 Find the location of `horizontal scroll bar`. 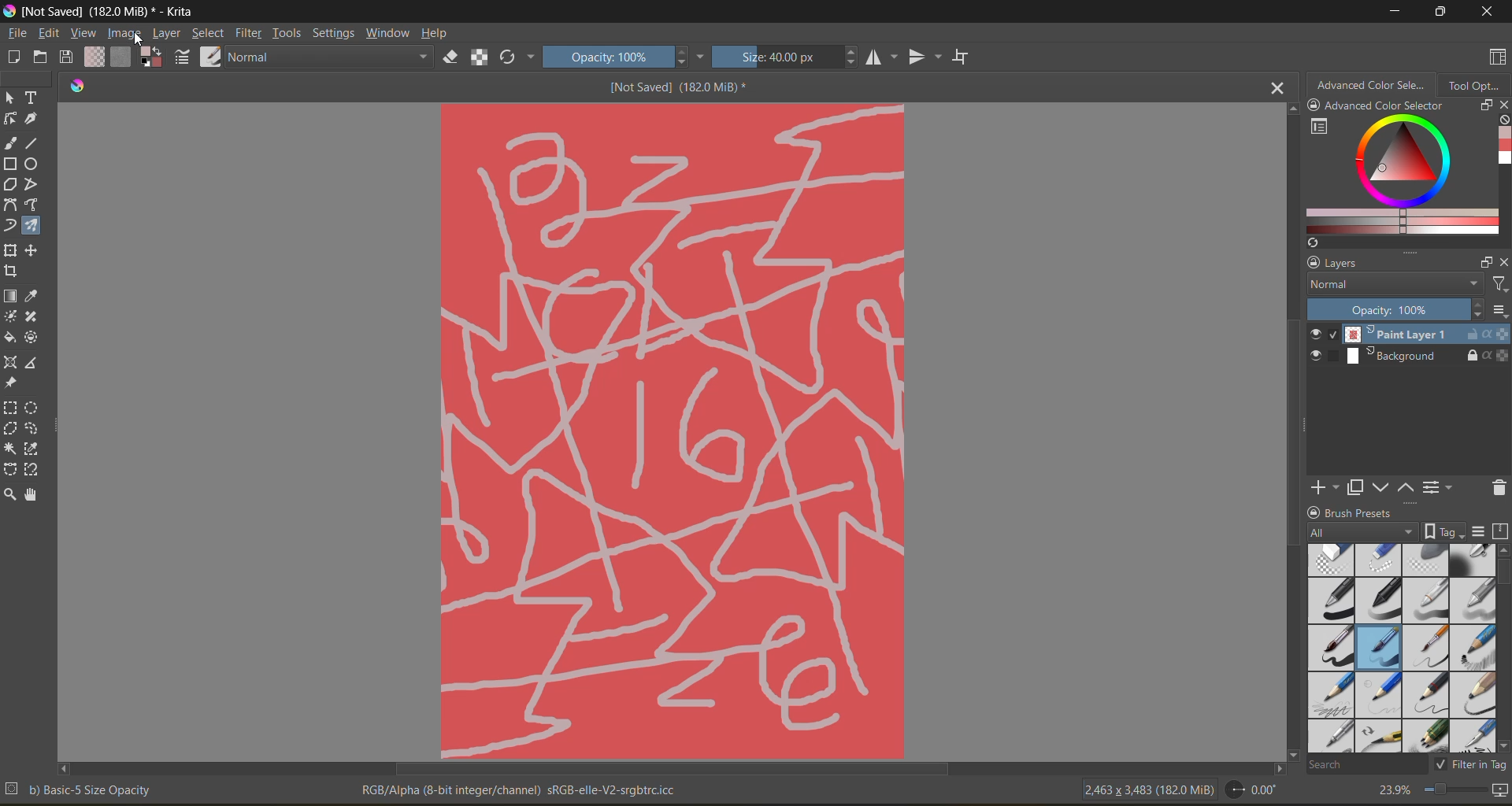

horizontal scroll bar is located at coordinates (676, 770).